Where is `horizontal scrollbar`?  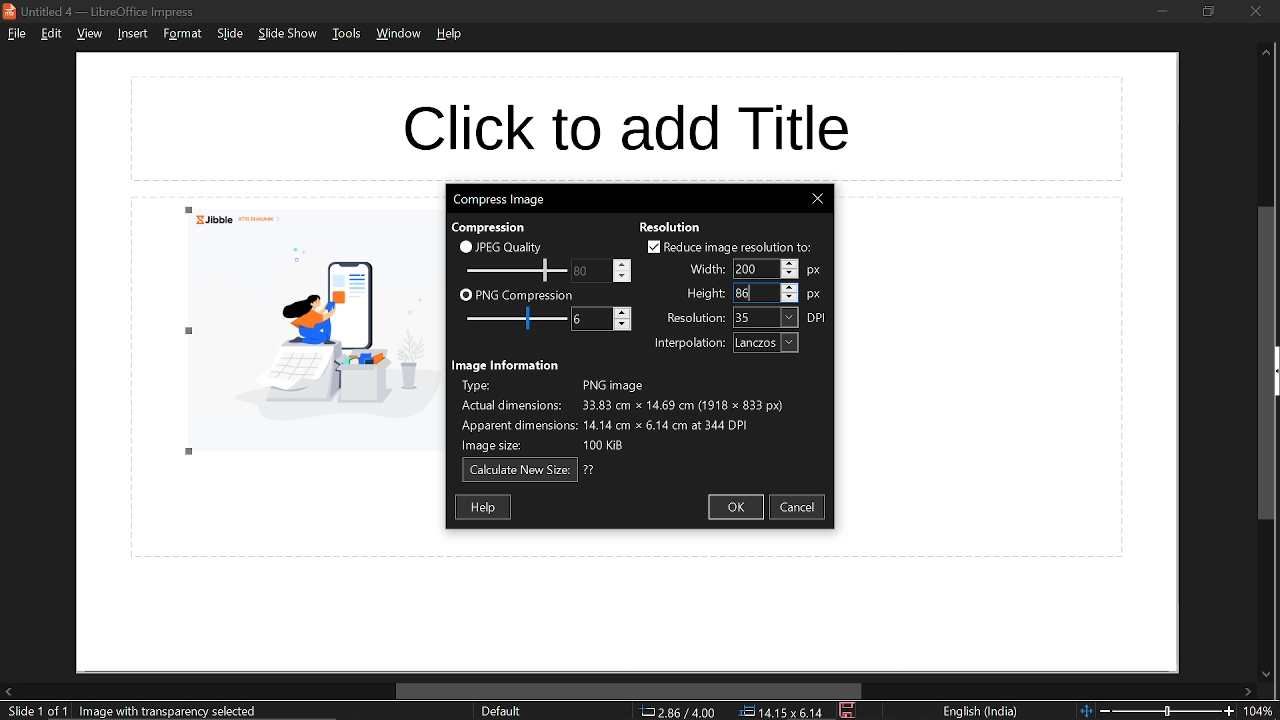
horizontal scrollbar is located at coordinates (630, 691).